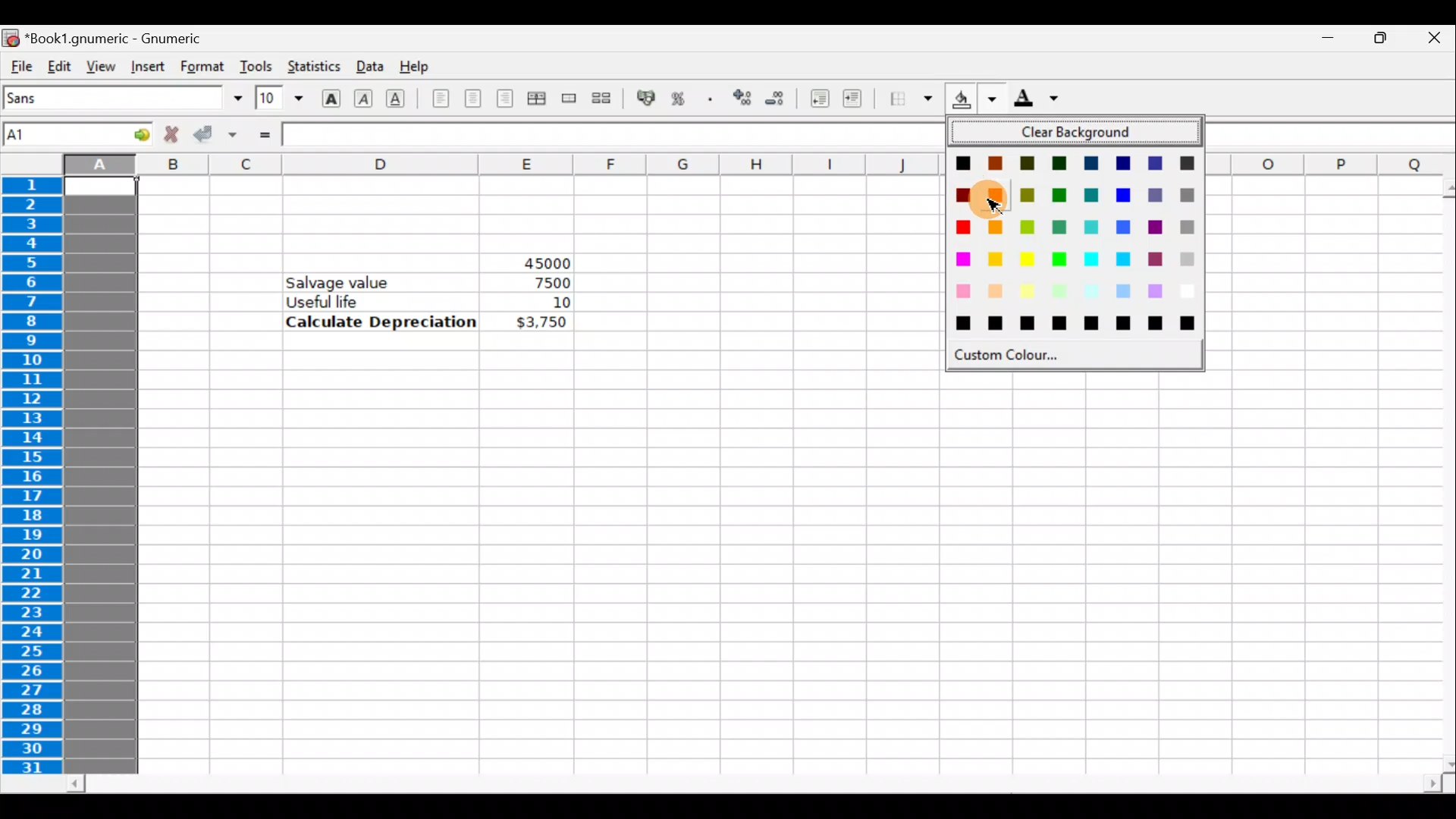 The height and width of the screenshot is (819, 1456). What do you see at coordinates (815, 99) in the screenshot?
I see `Decrease indent, align contents to the left` at bounding box center [815, 99].